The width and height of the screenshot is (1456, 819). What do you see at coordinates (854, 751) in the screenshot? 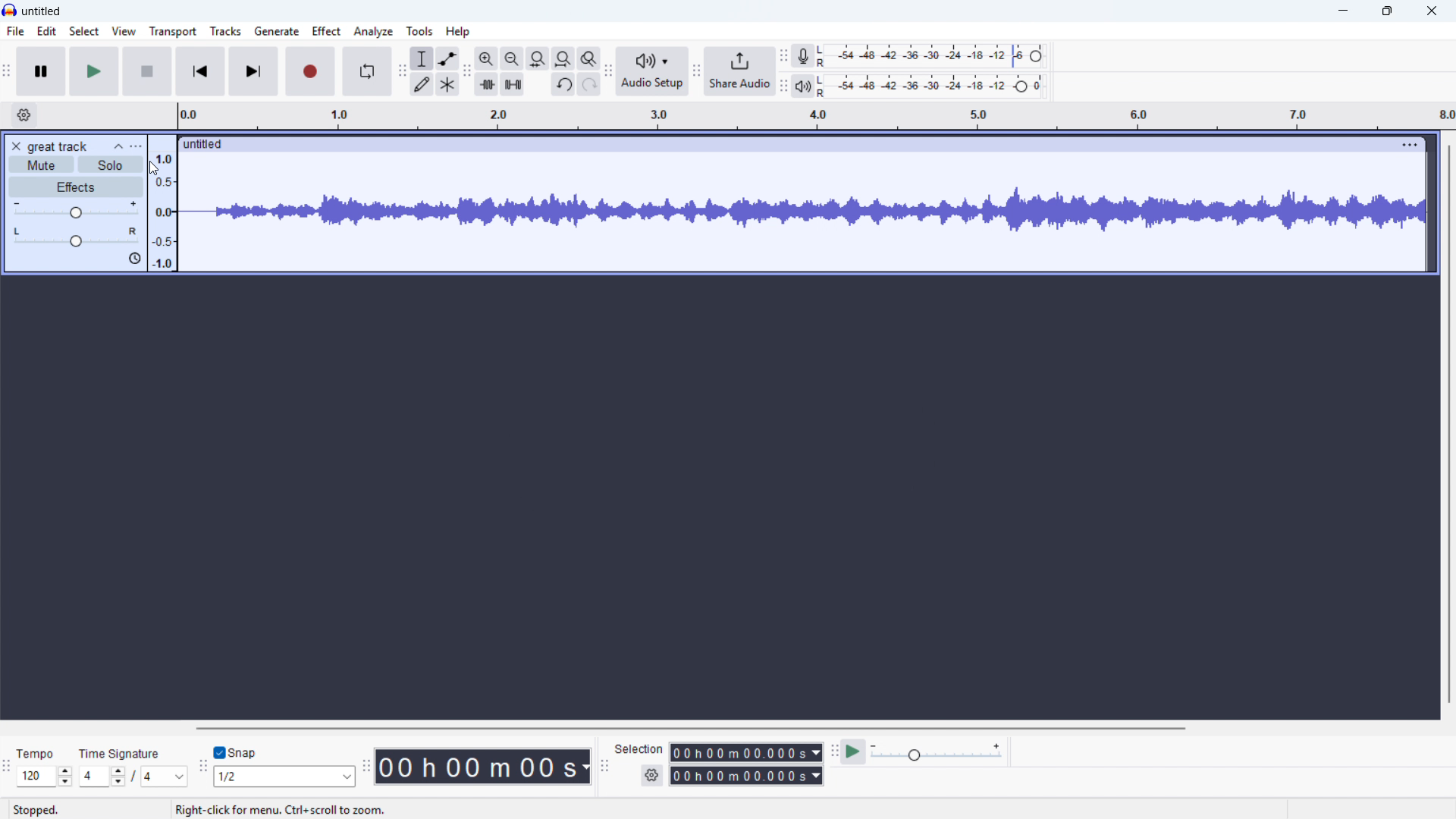
I see `Play at speed ` at bounding box center [854, 751].